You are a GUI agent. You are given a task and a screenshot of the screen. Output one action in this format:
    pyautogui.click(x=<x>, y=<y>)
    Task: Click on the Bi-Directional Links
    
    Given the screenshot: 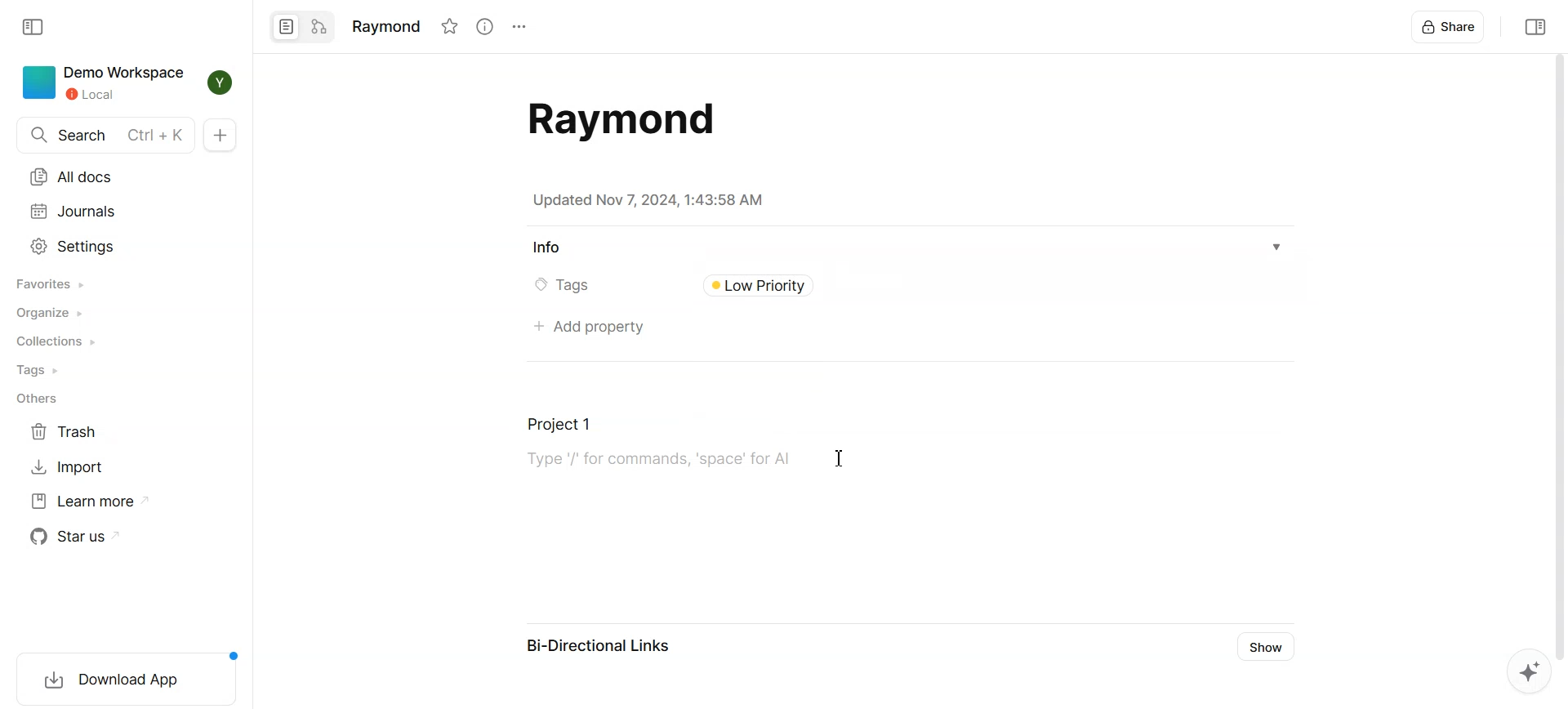 What is the action you would take?
    pyautogui.click(x=599, y=649)
    